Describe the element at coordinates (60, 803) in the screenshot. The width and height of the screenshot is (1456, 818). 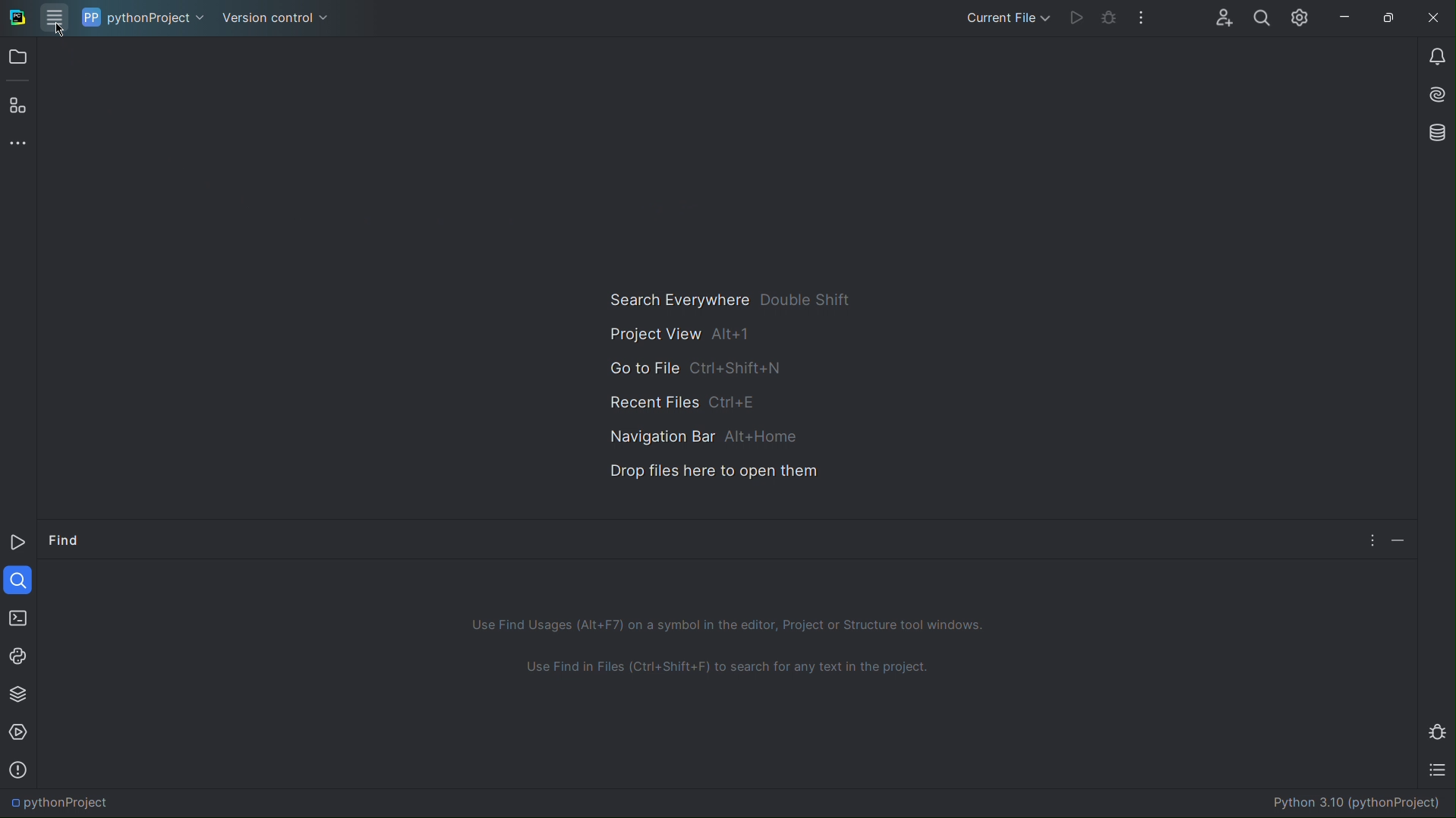
I see `pythonProject` at that location.